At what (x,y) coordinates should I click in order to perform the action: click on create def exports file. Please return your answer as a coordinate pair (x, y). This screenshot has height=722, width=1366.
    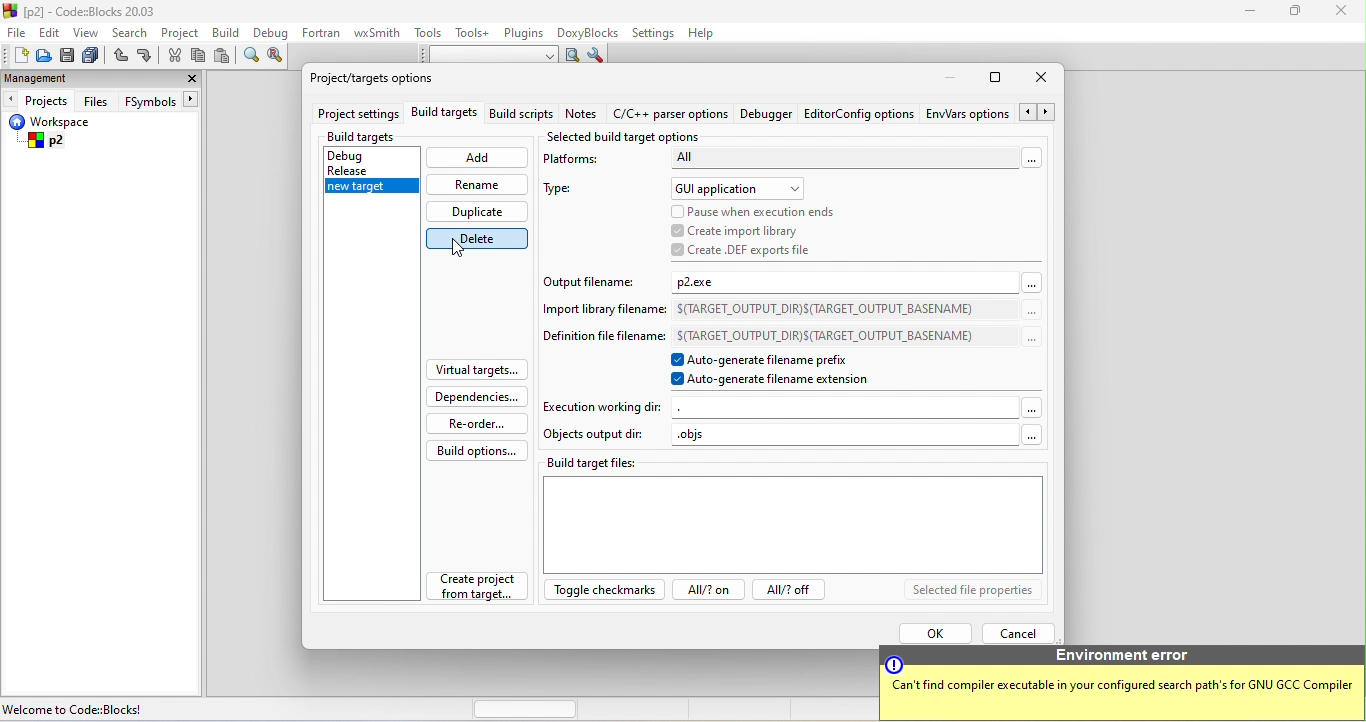
    Looking at the image, I should click on (744, 250).